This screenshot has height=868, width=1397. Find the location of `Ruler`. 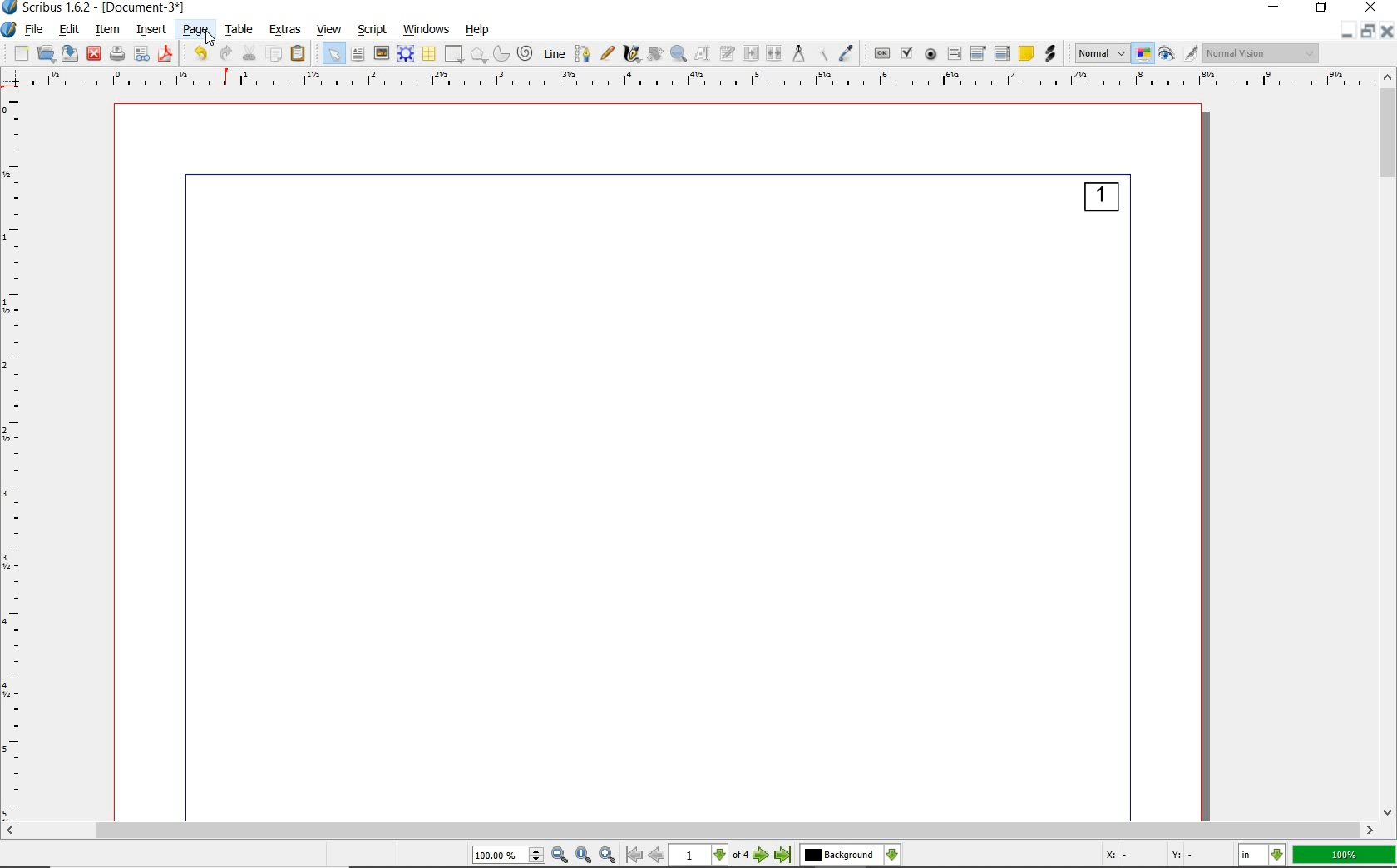

Ruler is located at coordinates (704, 81).